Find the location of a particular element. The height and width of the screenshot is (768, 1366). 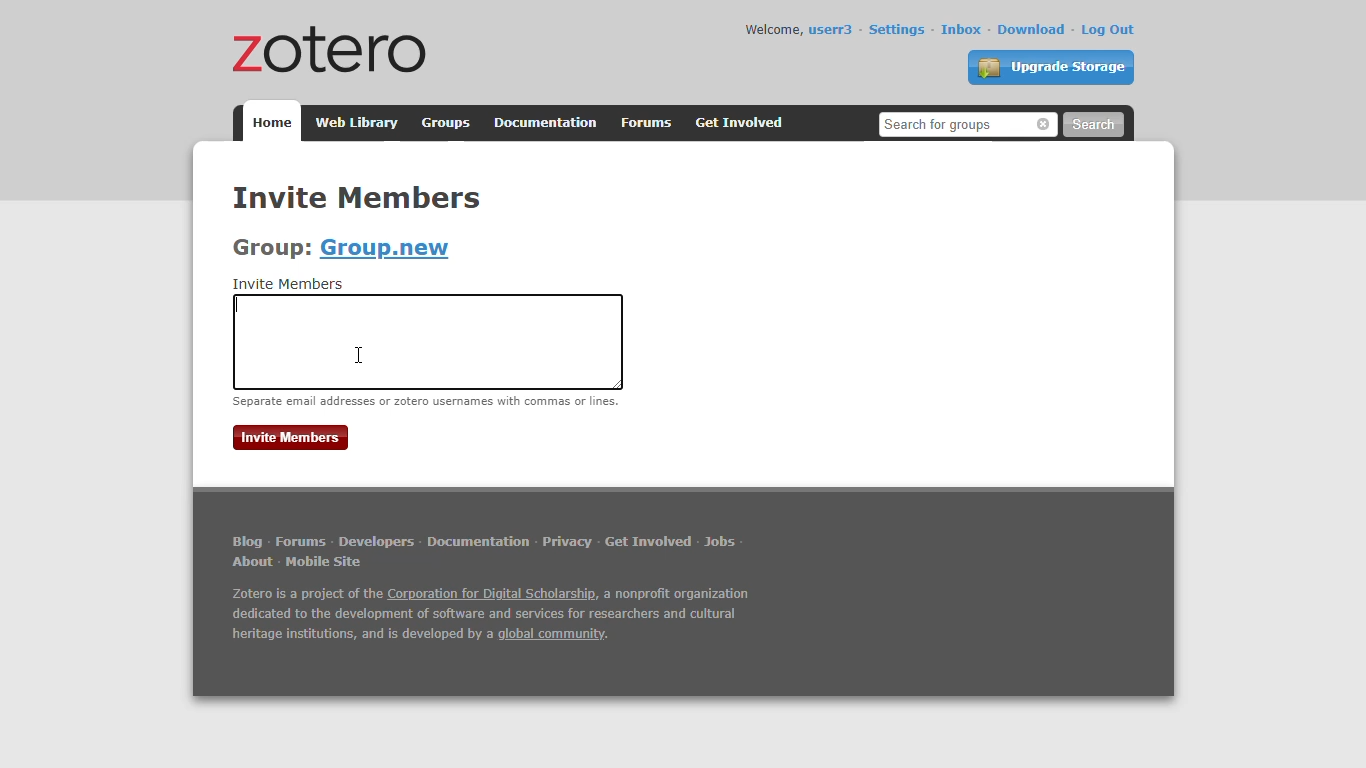

groups is located at coordinates (447, 123).